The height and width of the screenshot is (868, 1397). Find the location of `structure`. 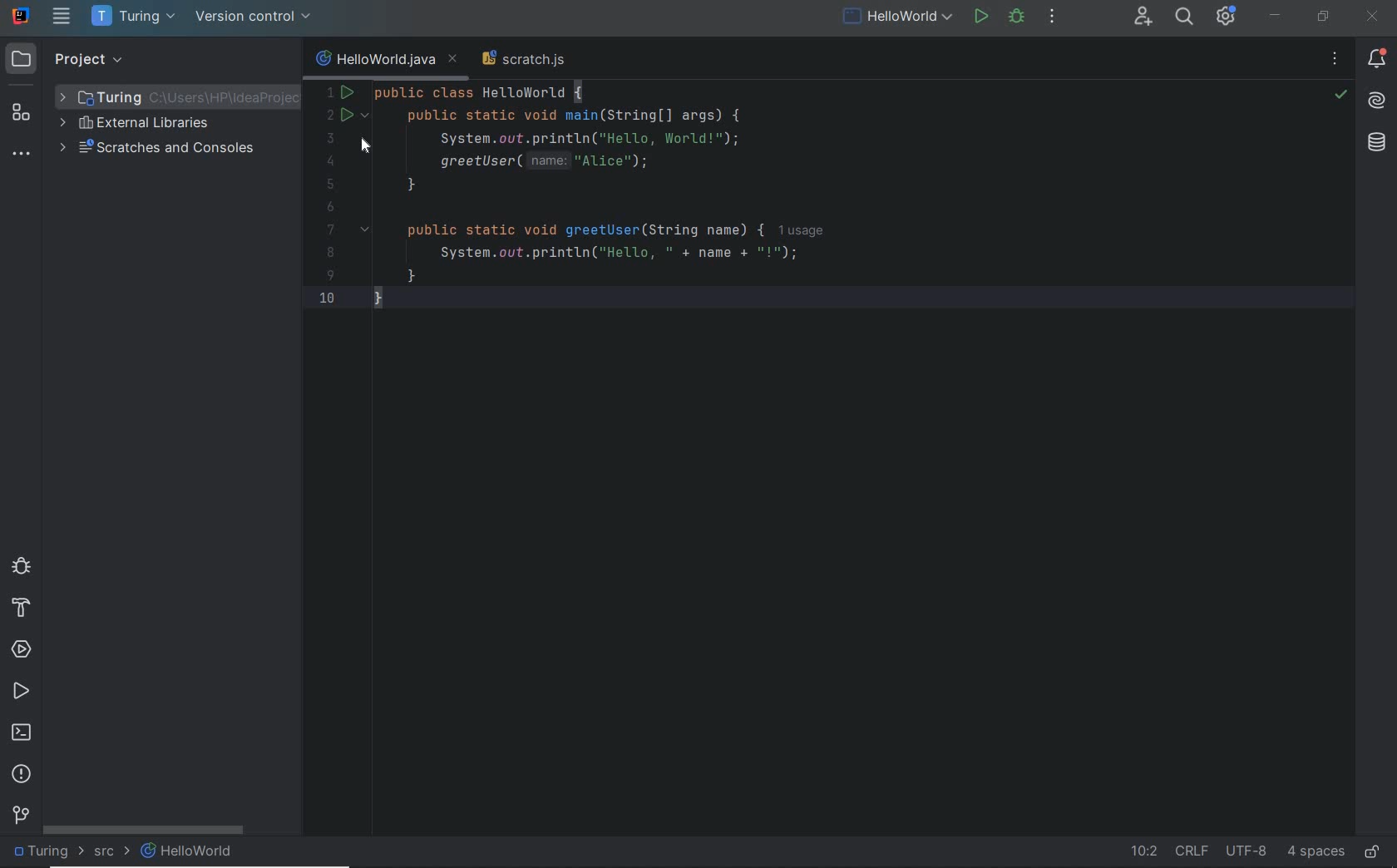

structure is located at coordinates (22, 116).